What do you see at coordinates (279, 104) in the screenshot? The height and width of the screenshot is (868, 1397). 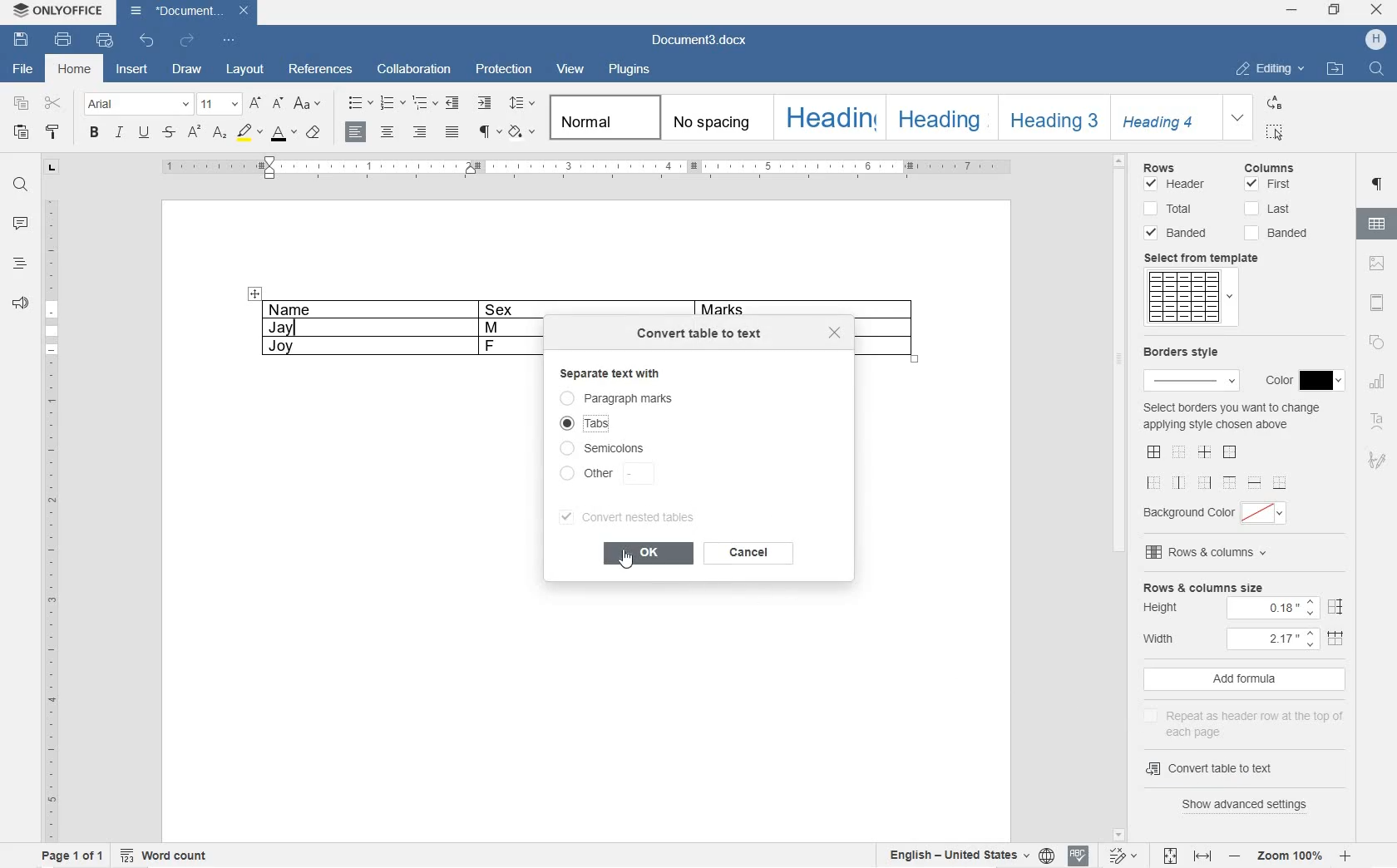 I see `DECREMENT FONT SIZE` at bounding box center [279, 104].